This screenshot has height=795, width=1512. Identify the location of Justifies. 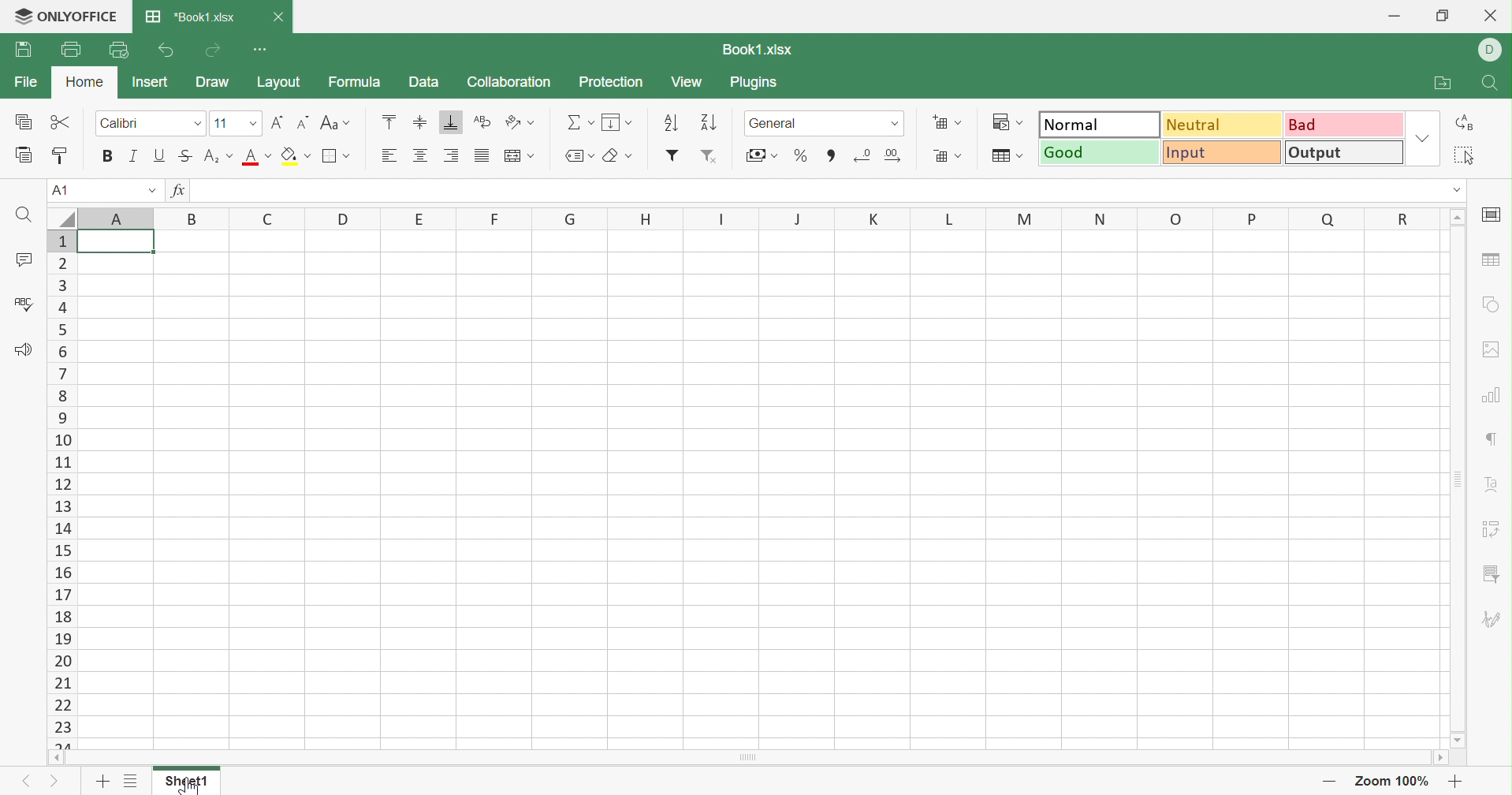
(483, 155).